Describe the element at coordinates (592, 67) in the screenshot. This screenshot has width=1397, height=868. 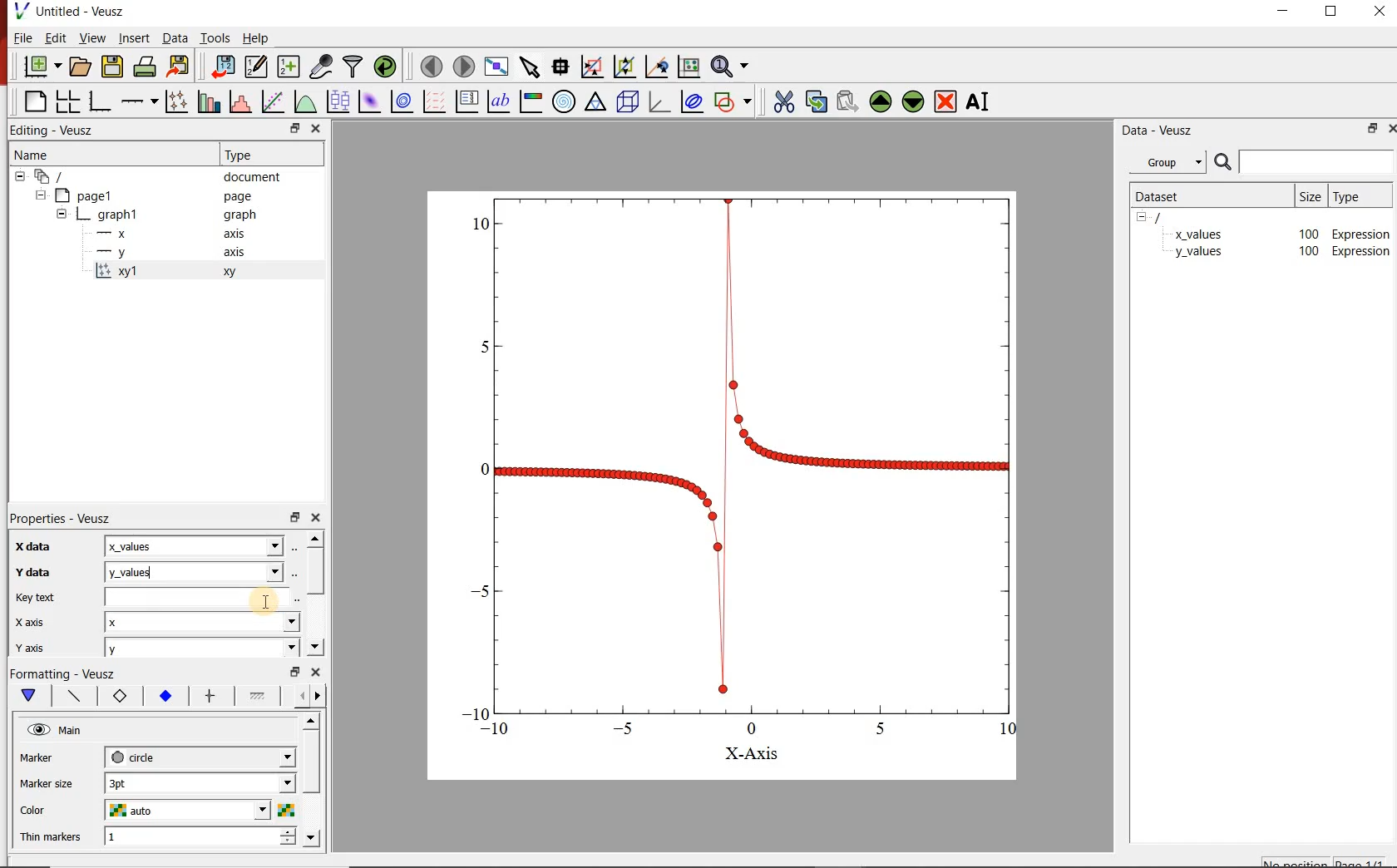
I see `click or draw a rectangle to zoom on graph axes` at that location.